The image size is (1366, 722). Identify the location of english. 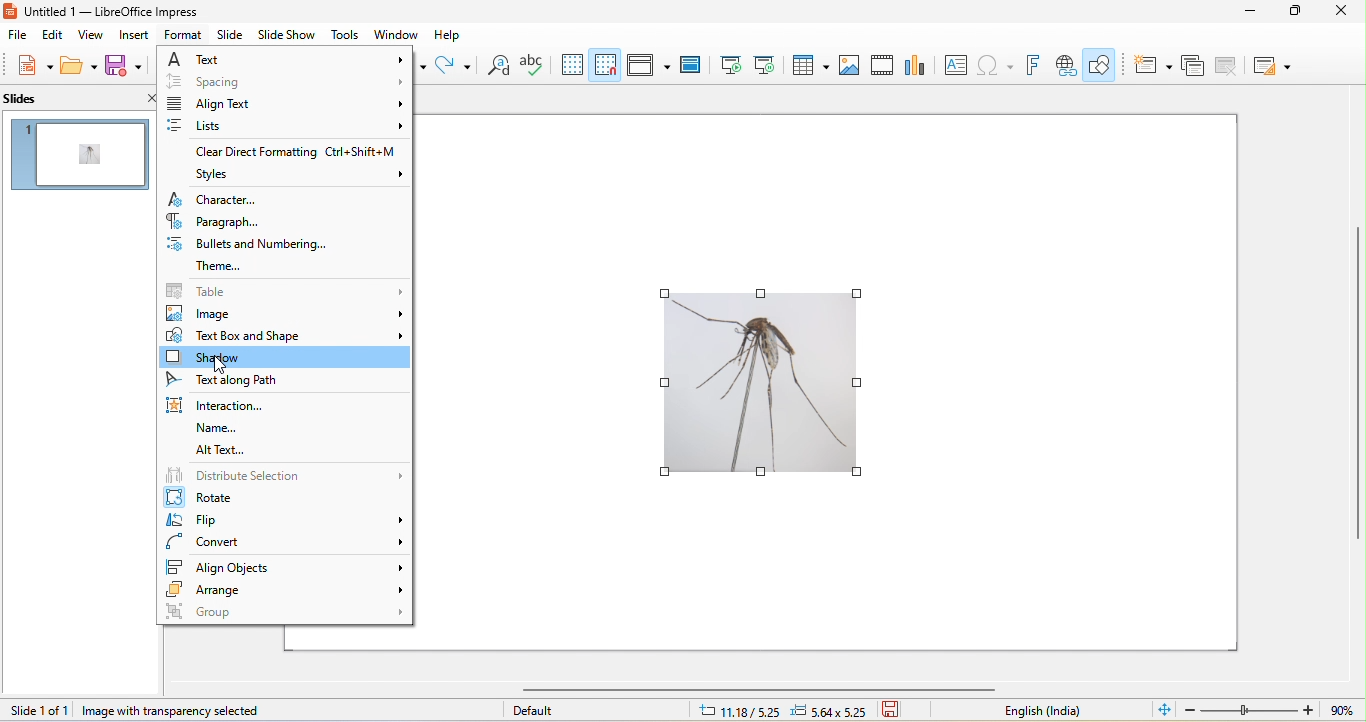
(1058, 712).